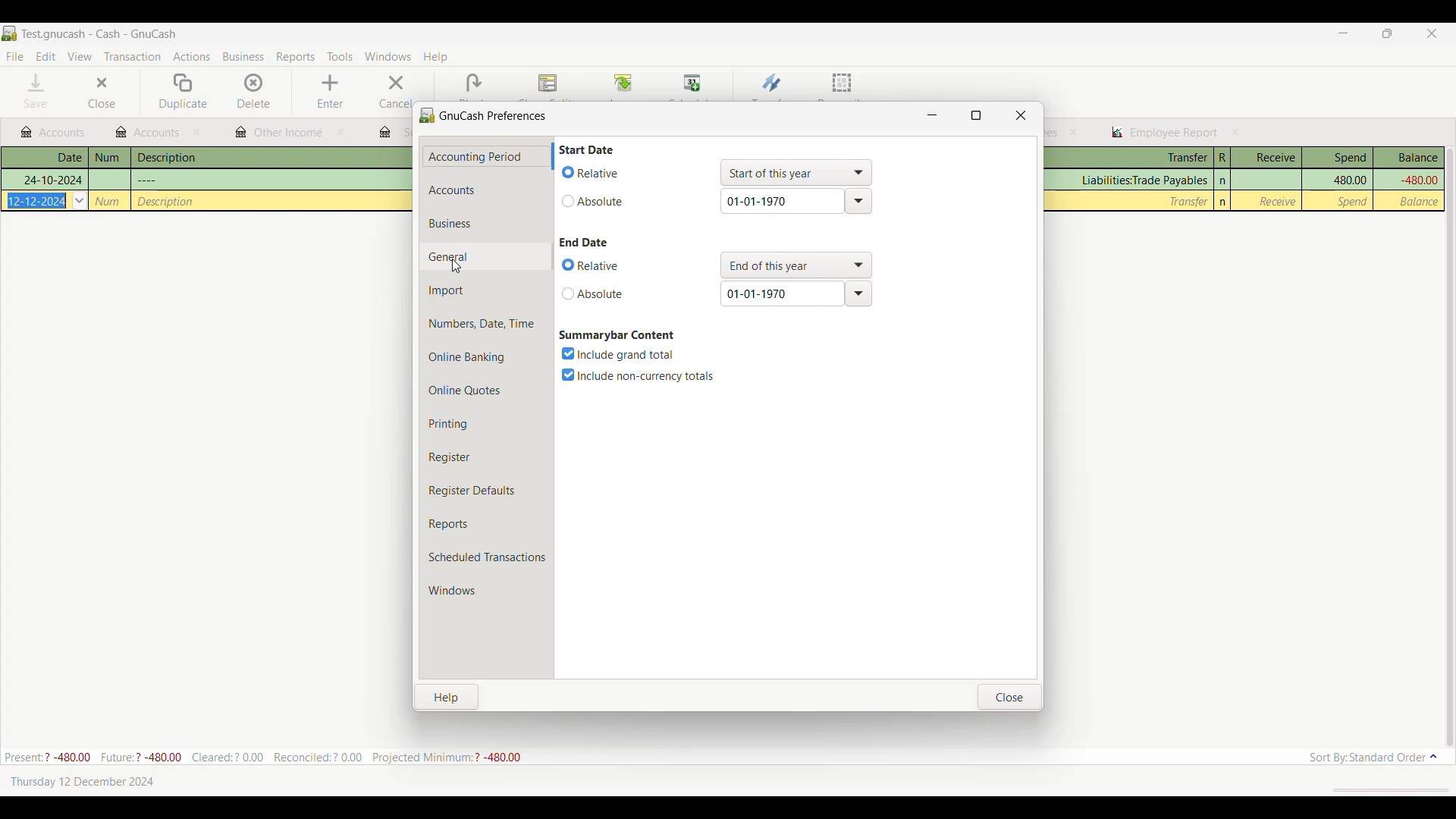  I want to click on Receive column, so click(1277, 201).